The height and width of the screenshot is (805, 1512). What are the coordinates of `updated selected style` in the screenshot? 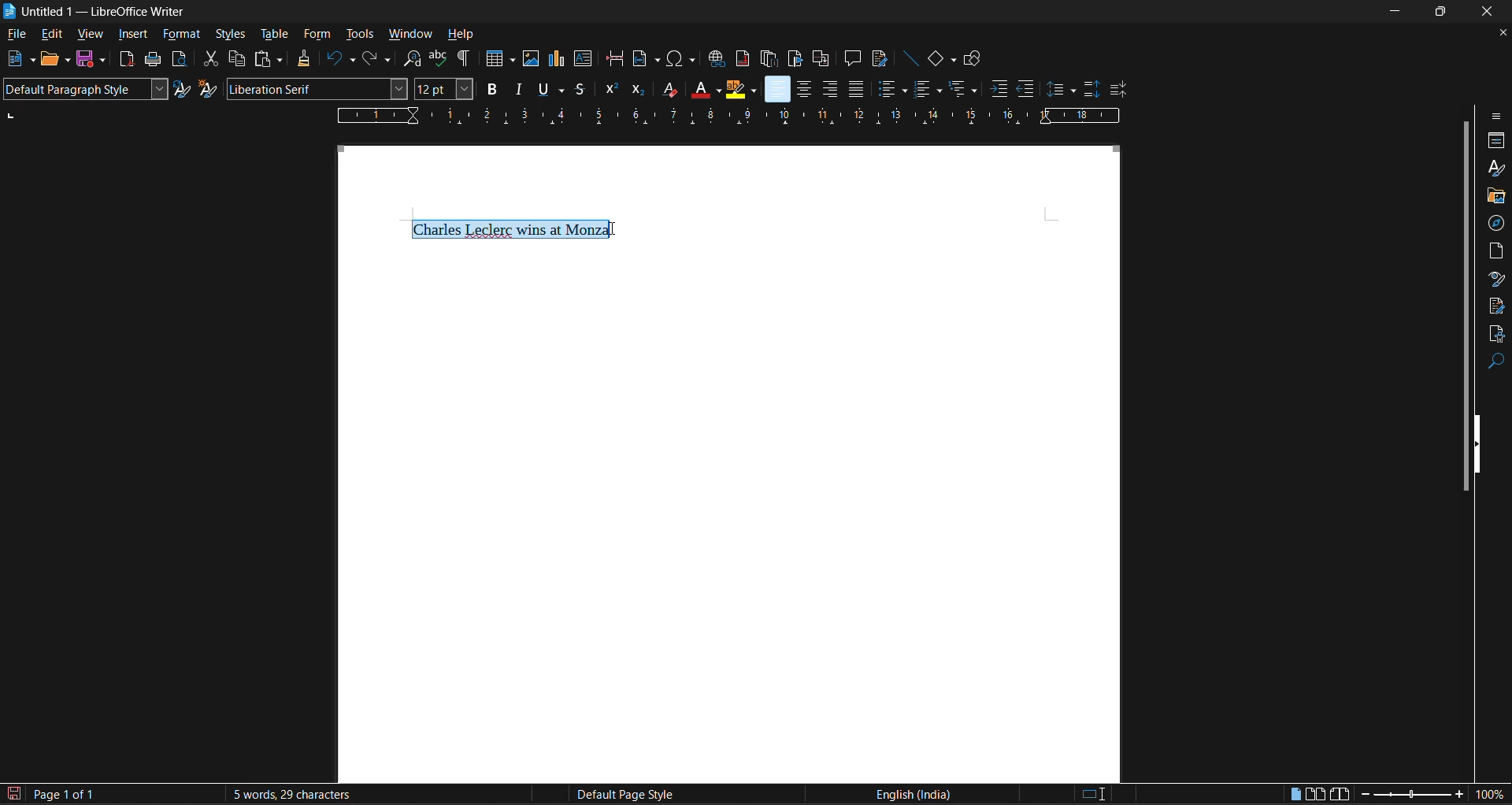 It's located at (183, 89).